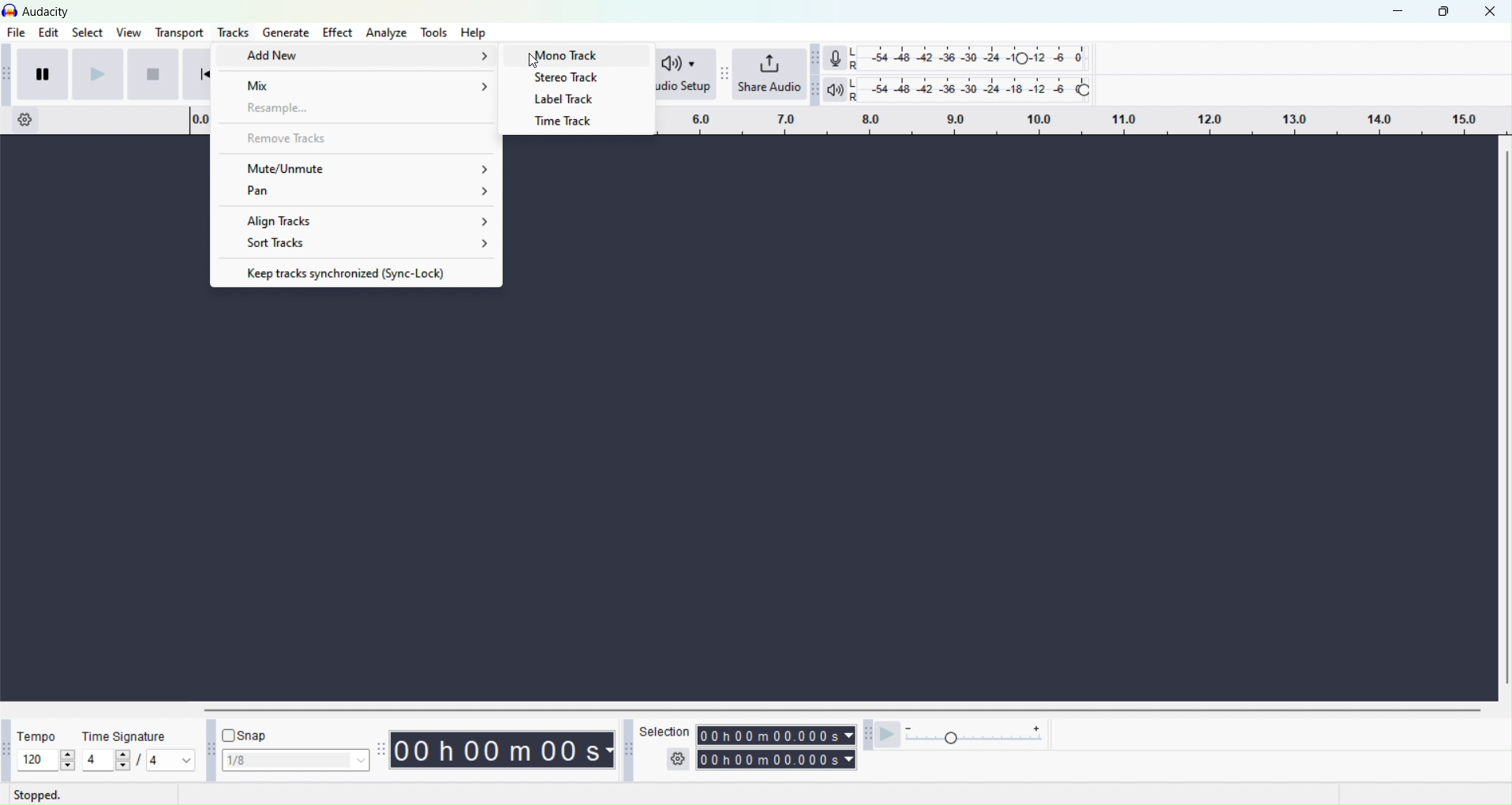  I want to click on Stopped, so click(43, 795).